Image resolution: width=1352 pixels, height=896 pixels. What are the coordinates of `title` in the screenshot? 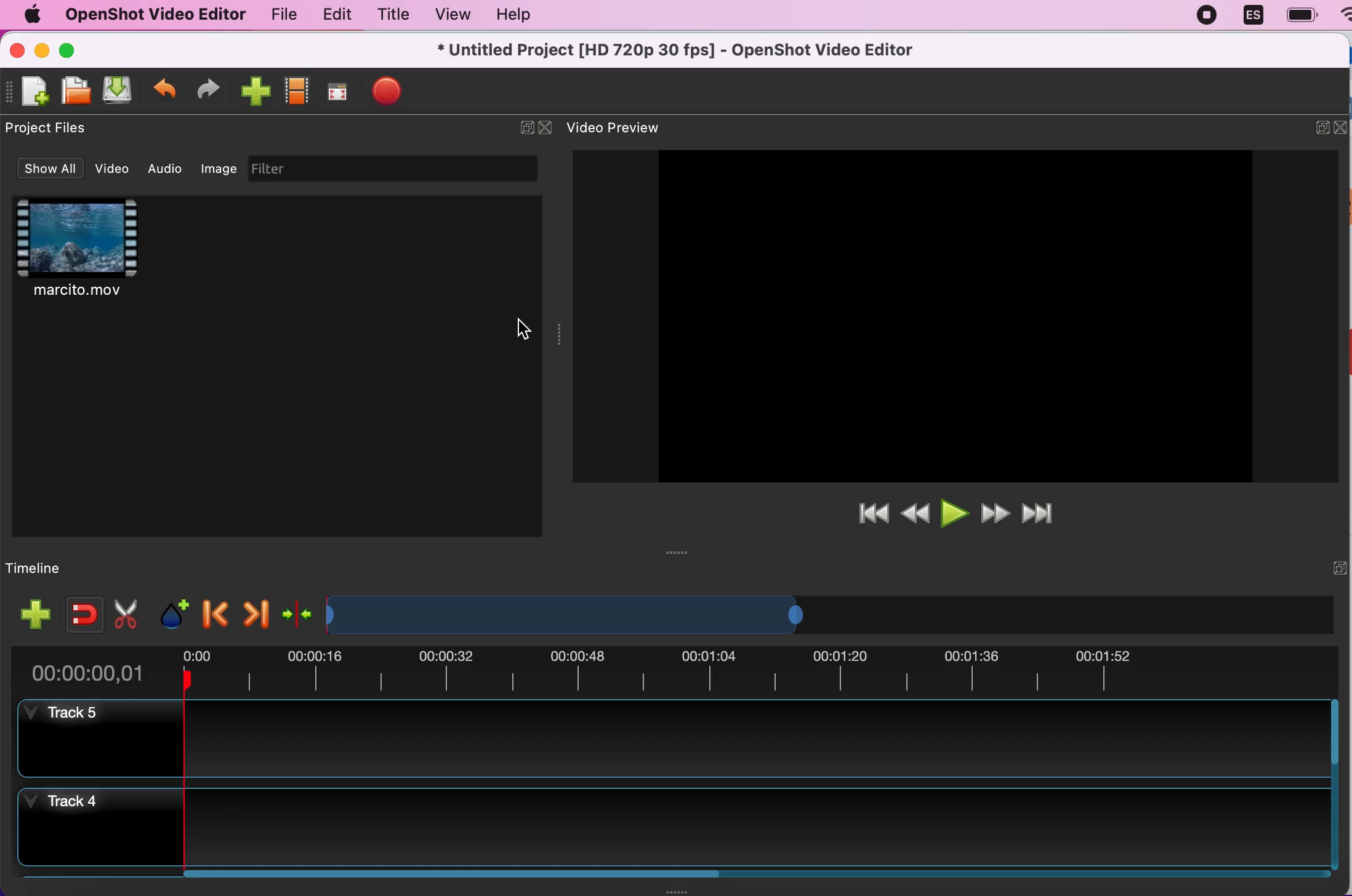 It's located at (391, 15).